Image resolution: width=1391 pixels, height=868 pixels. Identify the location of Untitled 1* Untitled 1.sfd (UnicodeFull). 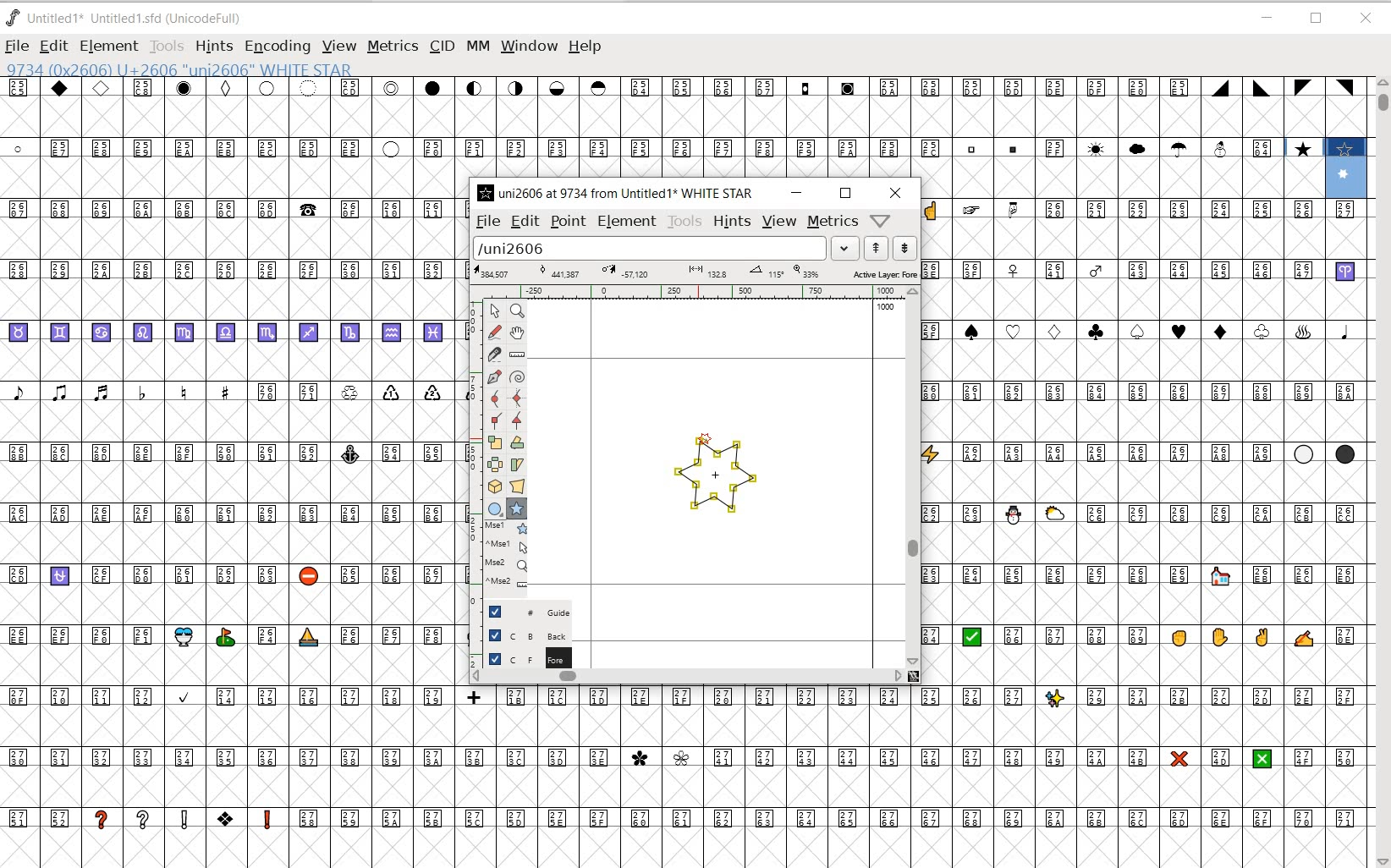
(130, 19).